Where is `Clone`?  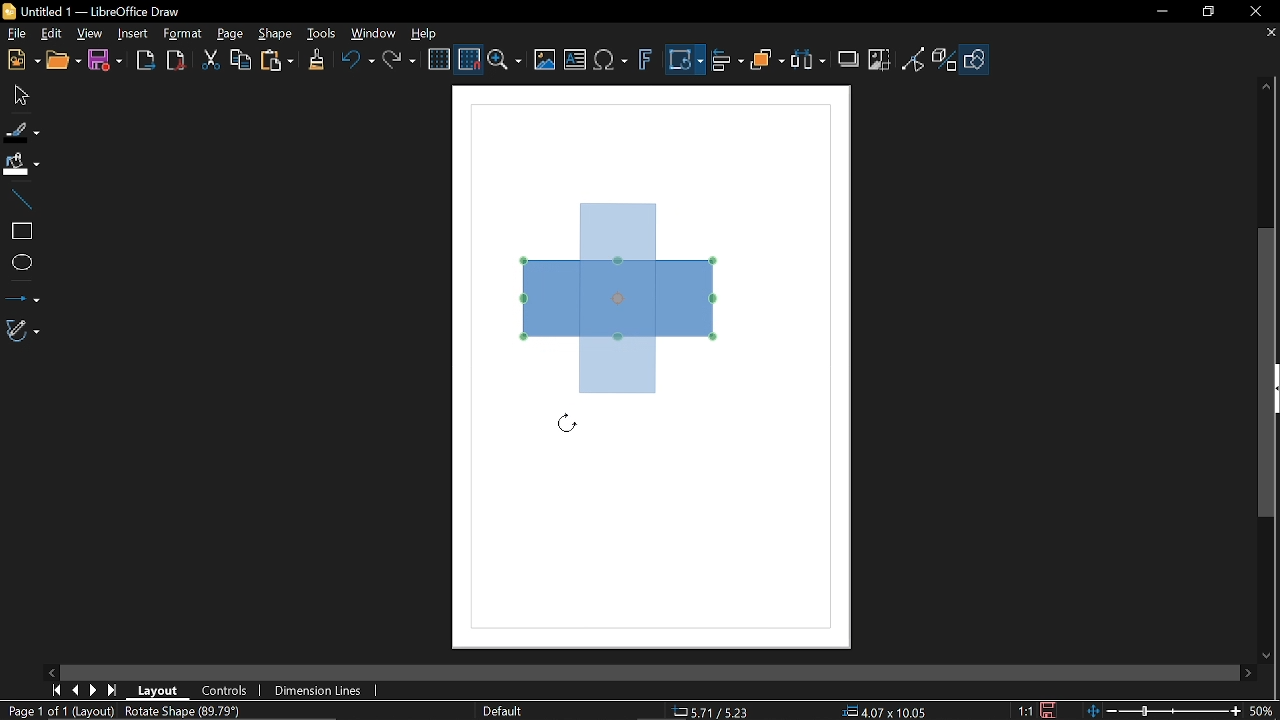 Clone is located at coordinates (316, 61).